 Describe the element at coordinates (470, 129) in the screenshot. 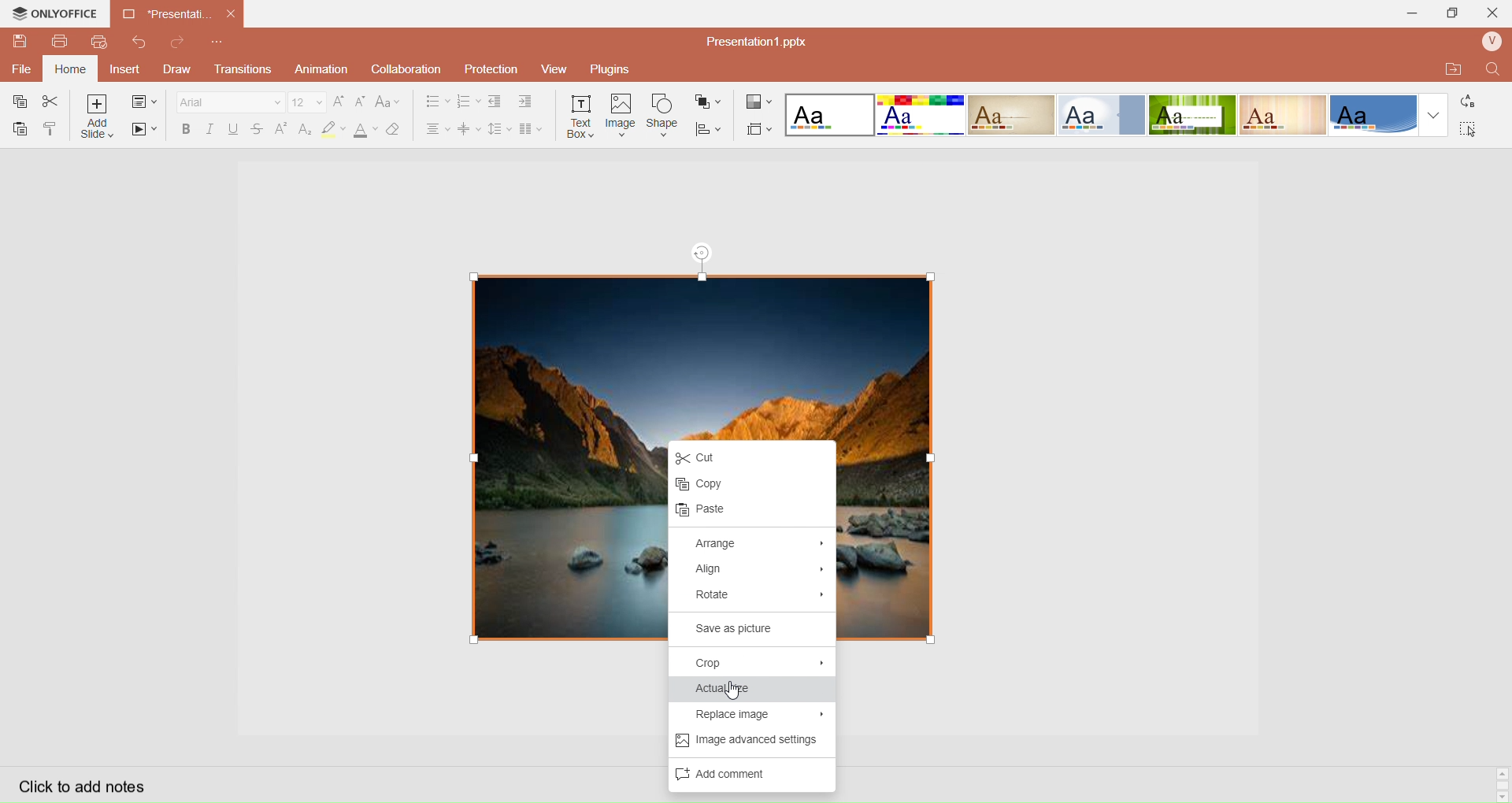

I see `Vertical Align` at that location.